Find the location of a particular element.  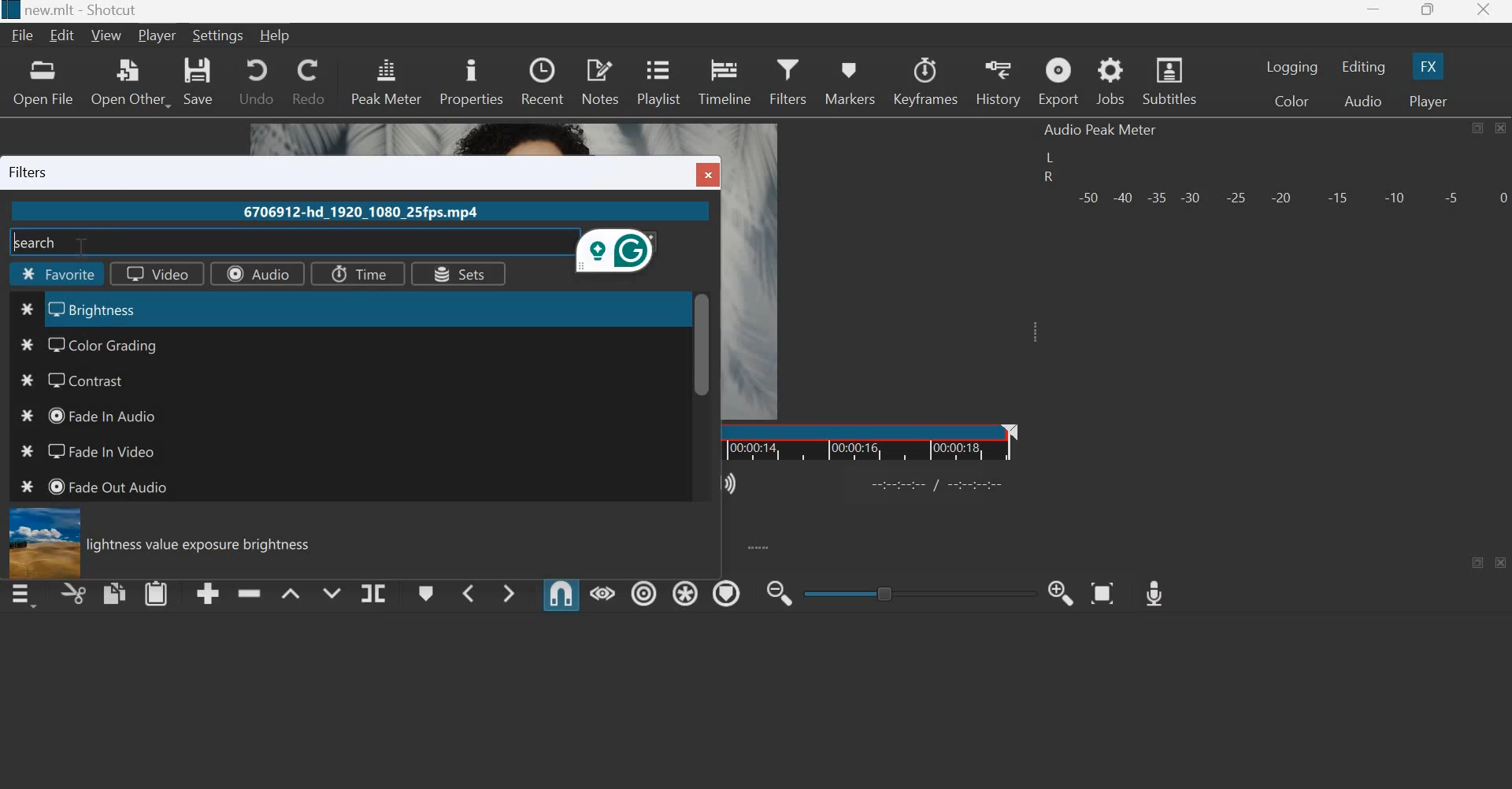

save is located at coordinates (199, 81).